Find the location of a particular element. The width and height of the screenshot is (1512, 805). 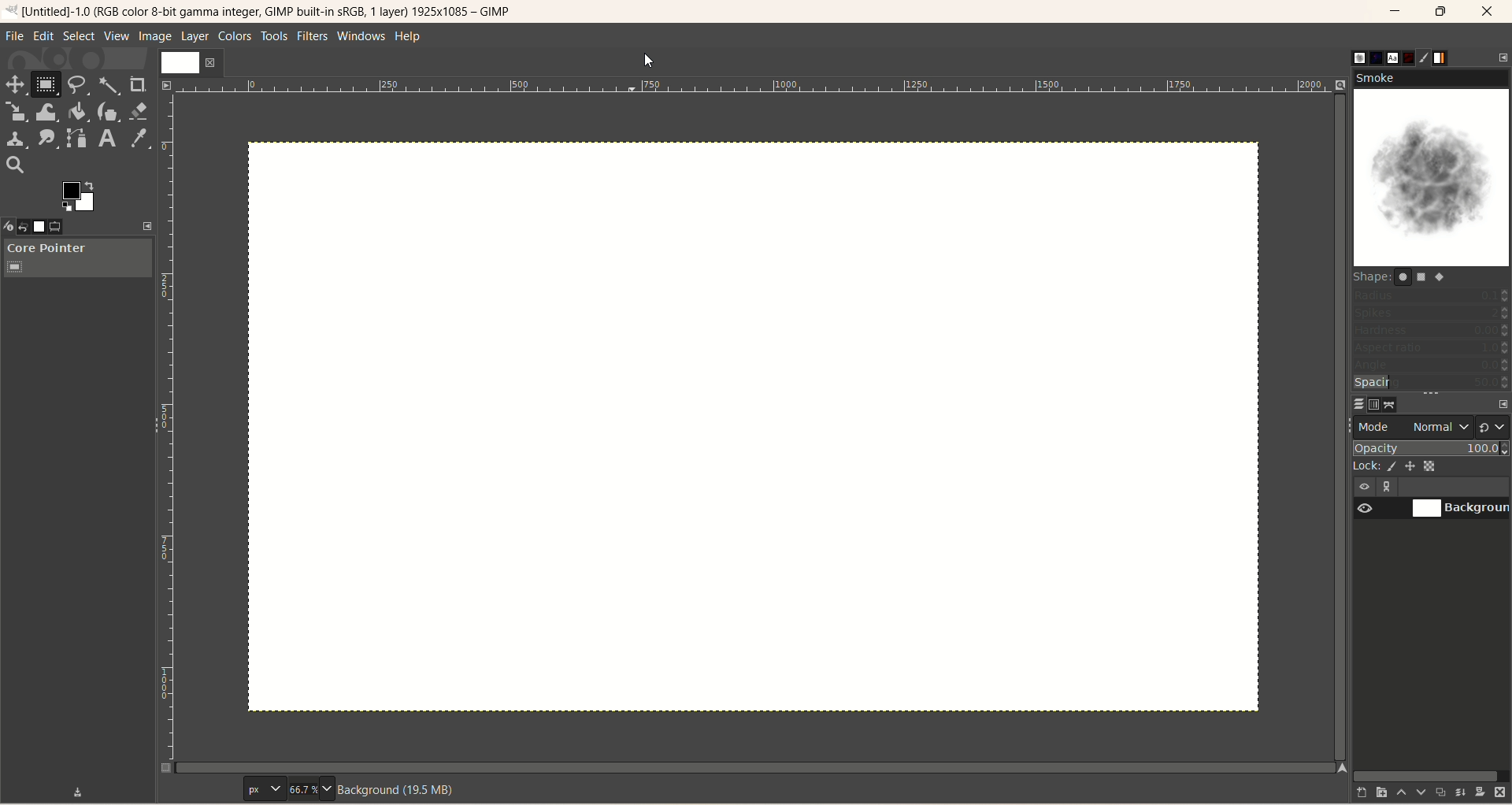

shape is located at coordinates (1407, 276).